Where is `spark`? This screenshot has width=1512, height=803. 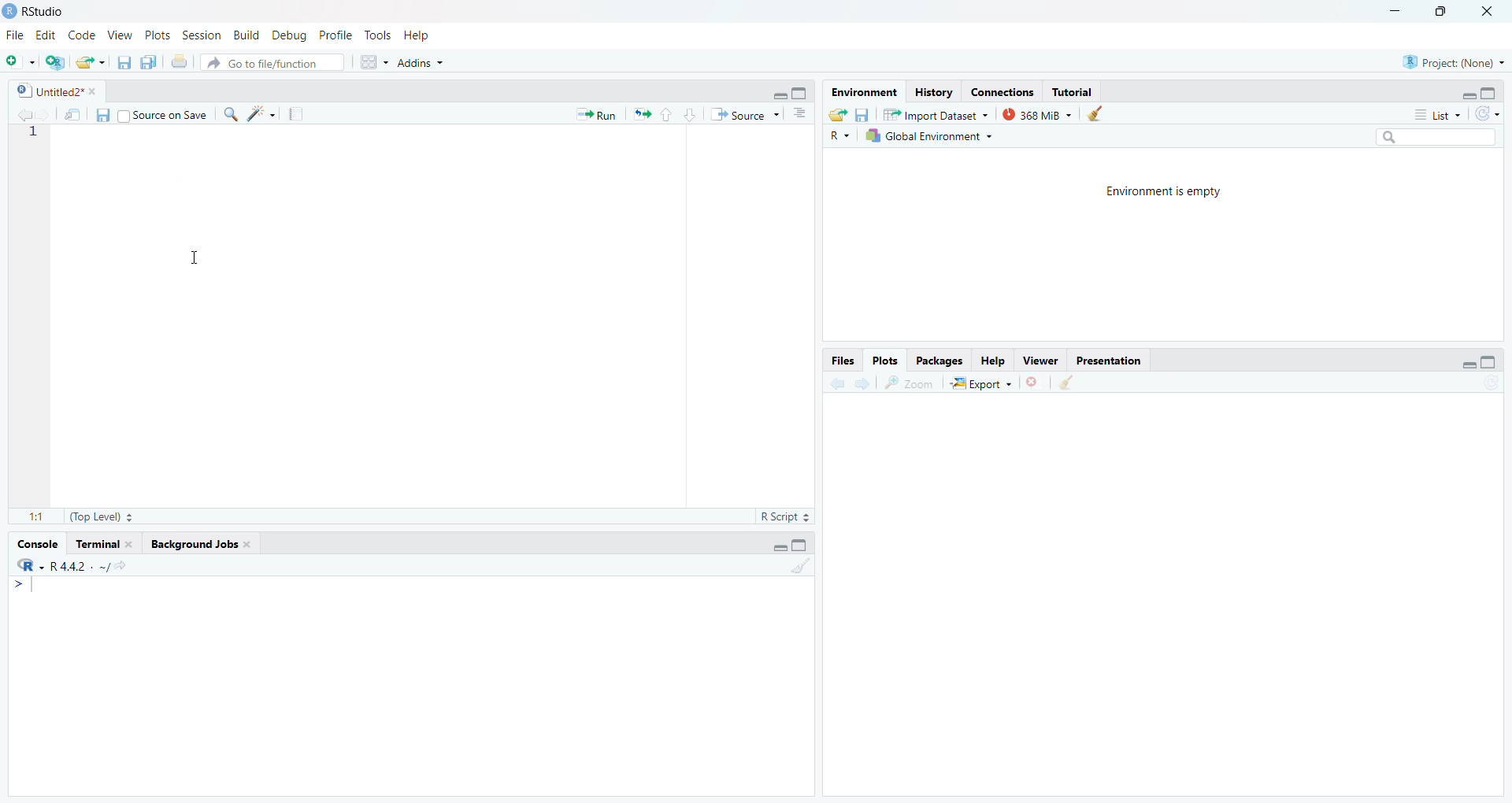
spark is located at coordinates (264, 115).